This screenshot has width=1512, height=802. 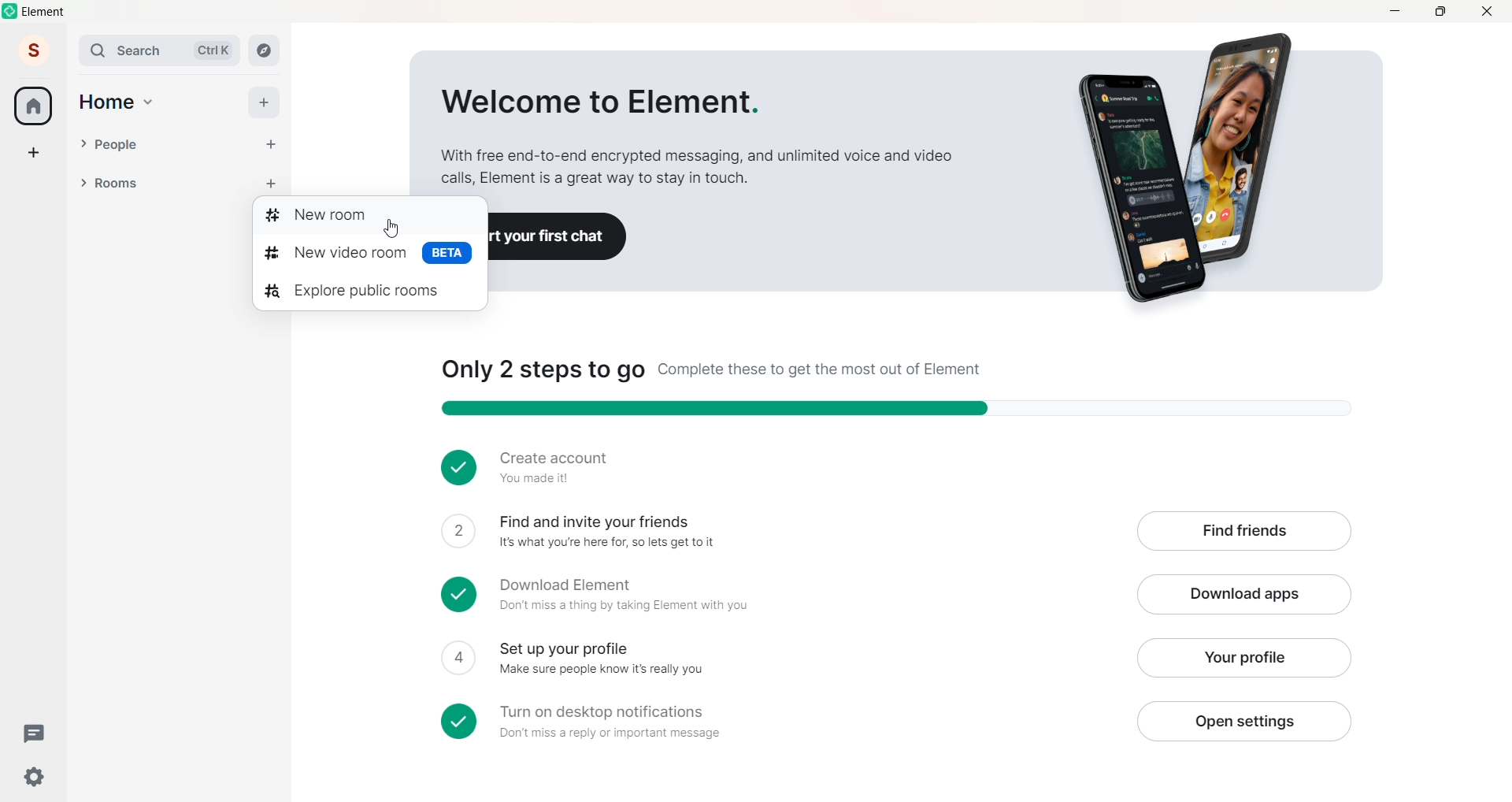 I want to click on Room Drop Down, so click(x=83, y=183).